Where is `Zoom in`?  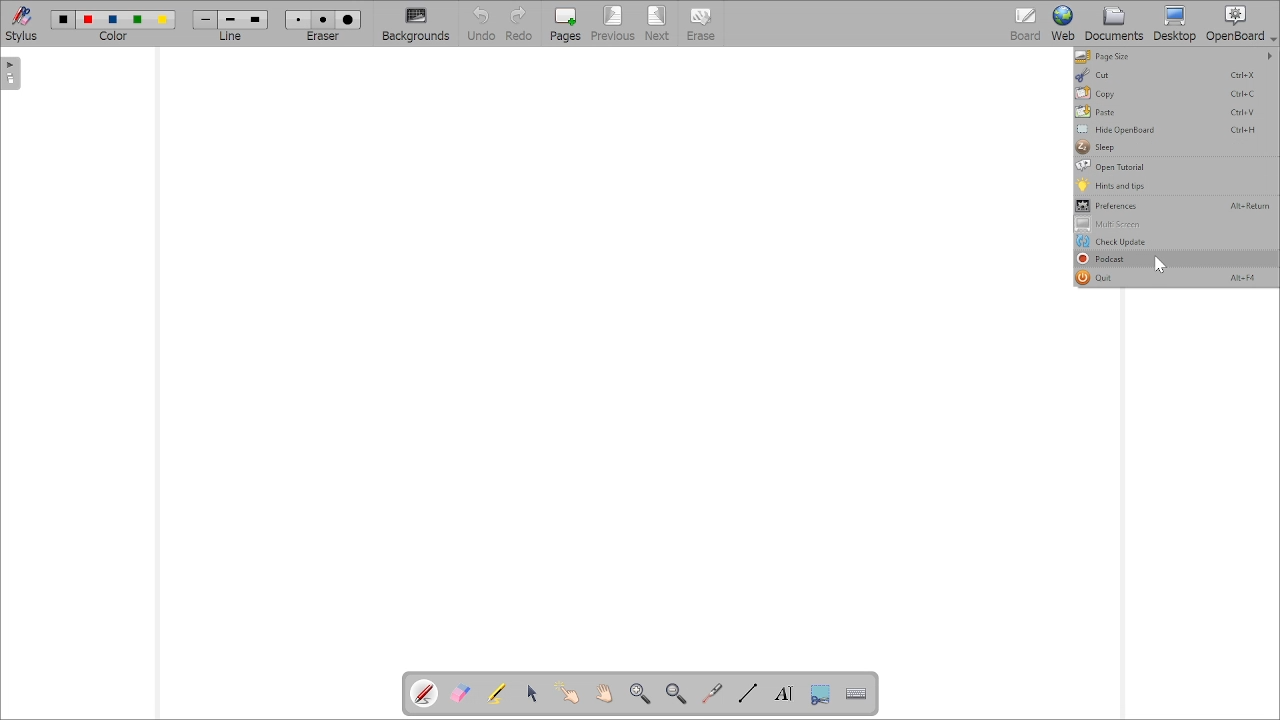 Zoom in is located at coordinates (641, 694).